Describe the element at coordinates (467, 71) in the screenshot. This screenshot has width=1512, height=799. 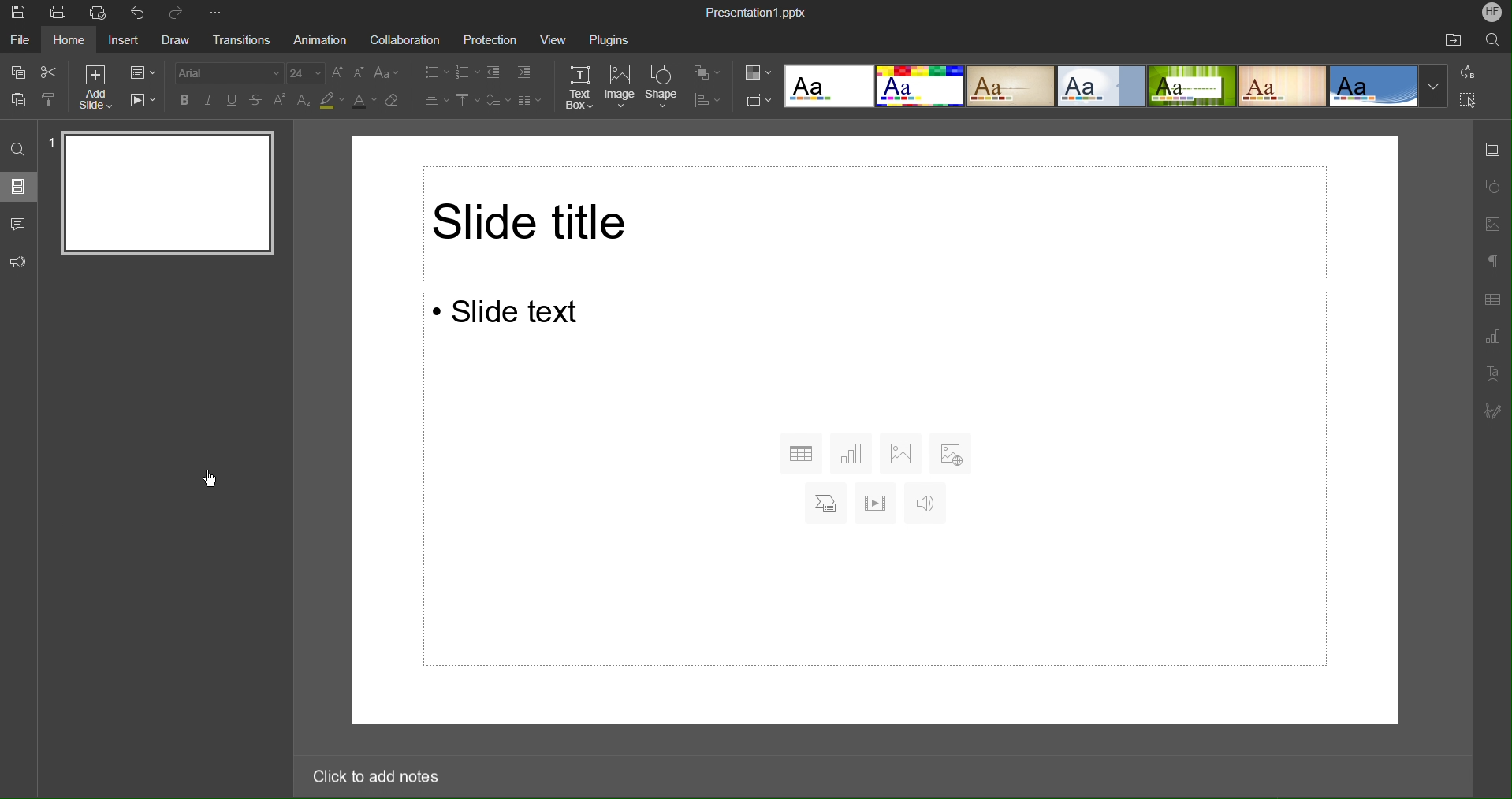
I see `Numbered List` at that location.